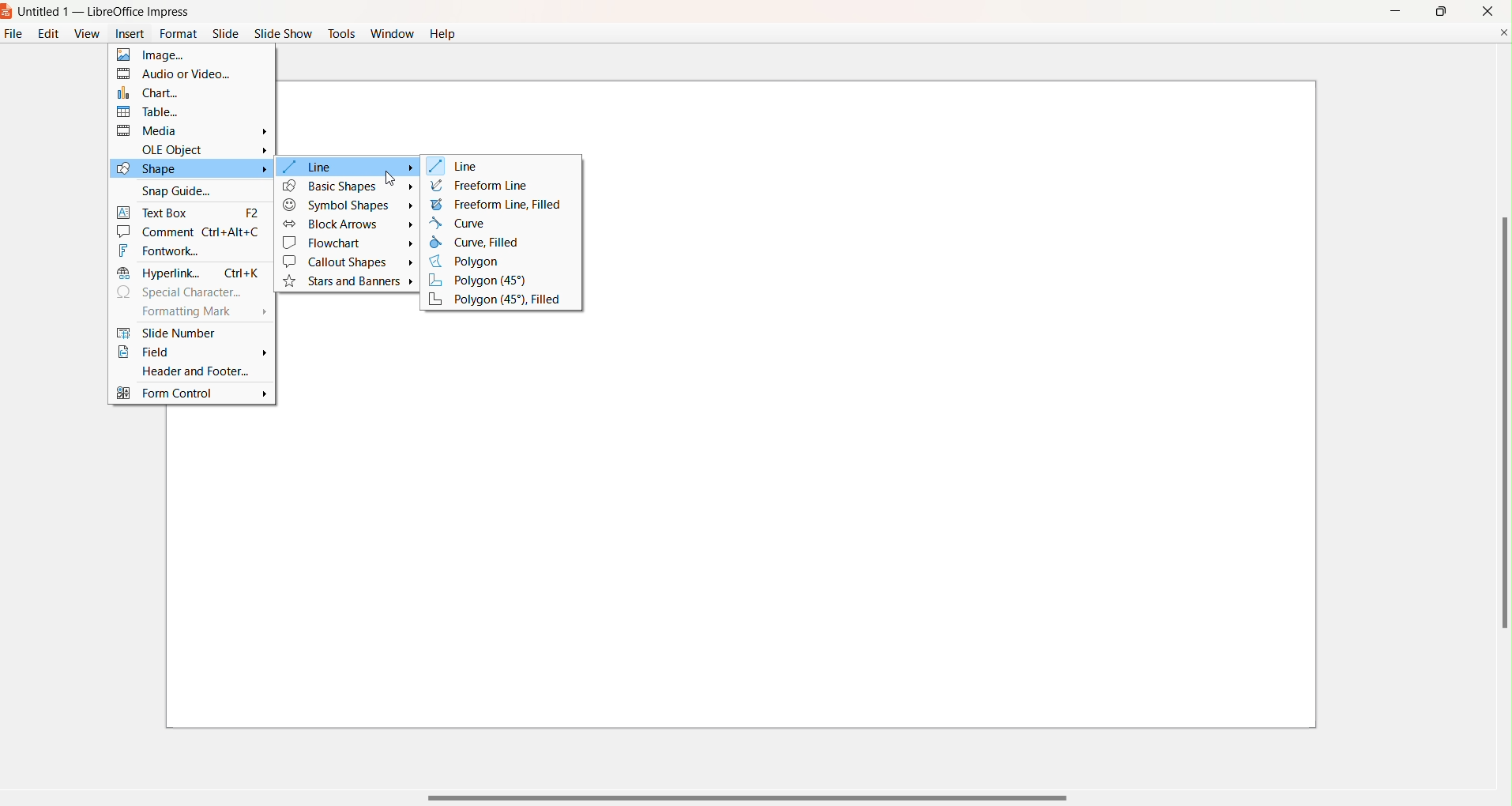 The width and height of the screenshot is (1512, 806). Describe the element at coordinates (348, 206) in the screenshot. I see `Symbol Shapes` at that location.